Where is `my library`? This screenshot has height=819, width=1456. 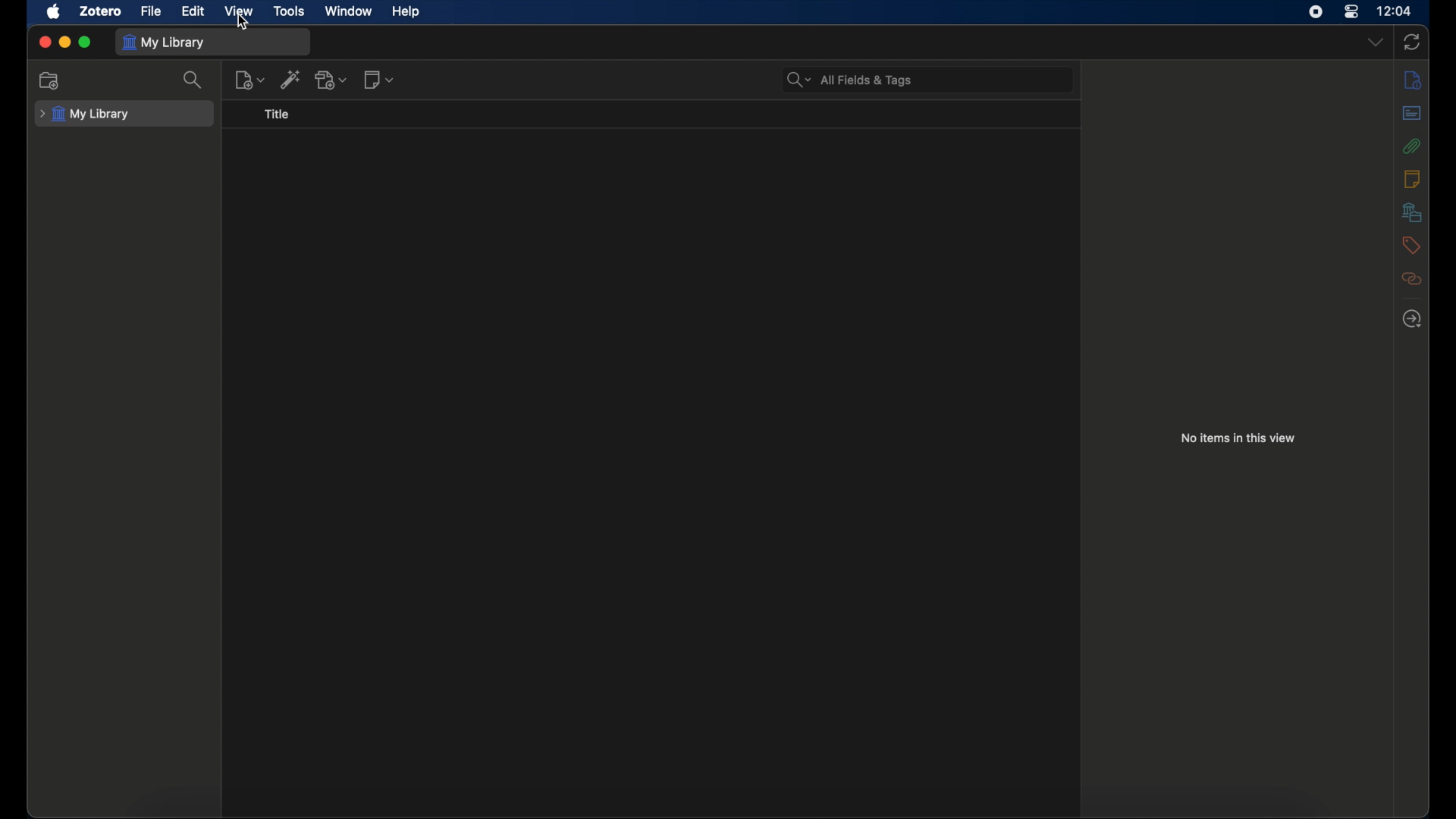
my library is located at coordinates (83, 115).